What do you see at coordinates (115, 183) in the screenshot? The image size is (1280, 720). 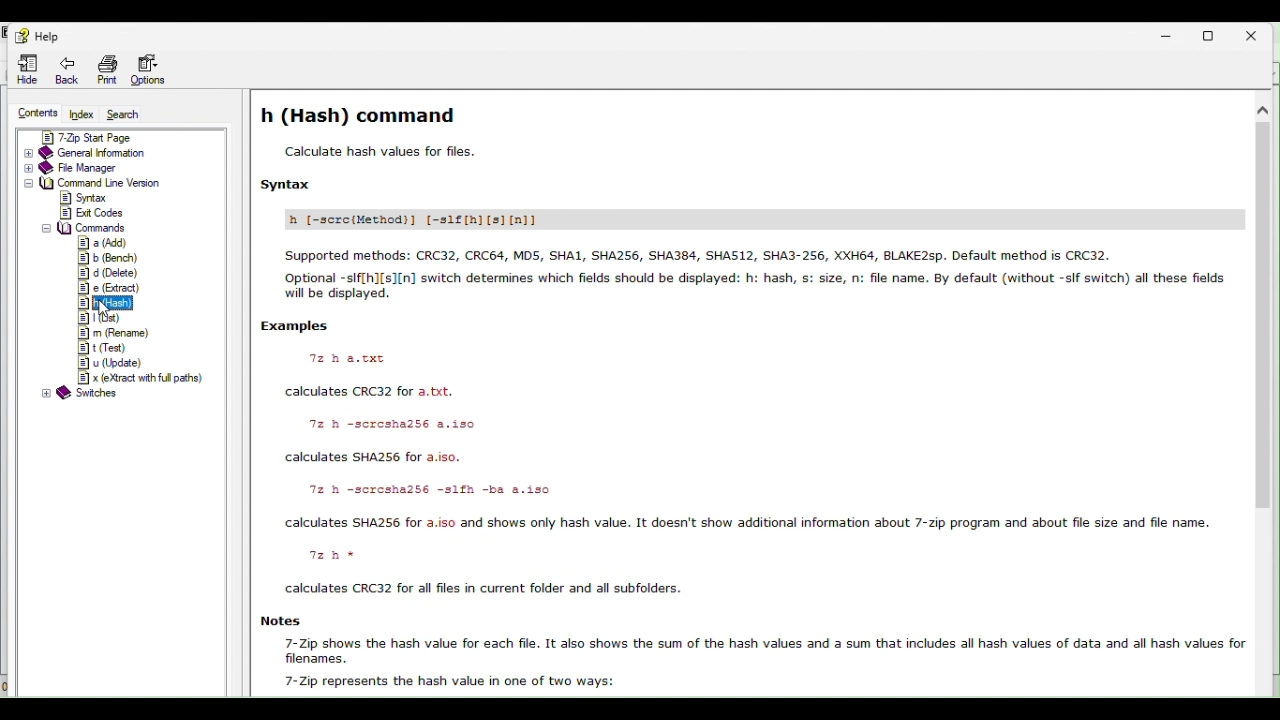 I see `Command line version` at bounding box center [115, 183].